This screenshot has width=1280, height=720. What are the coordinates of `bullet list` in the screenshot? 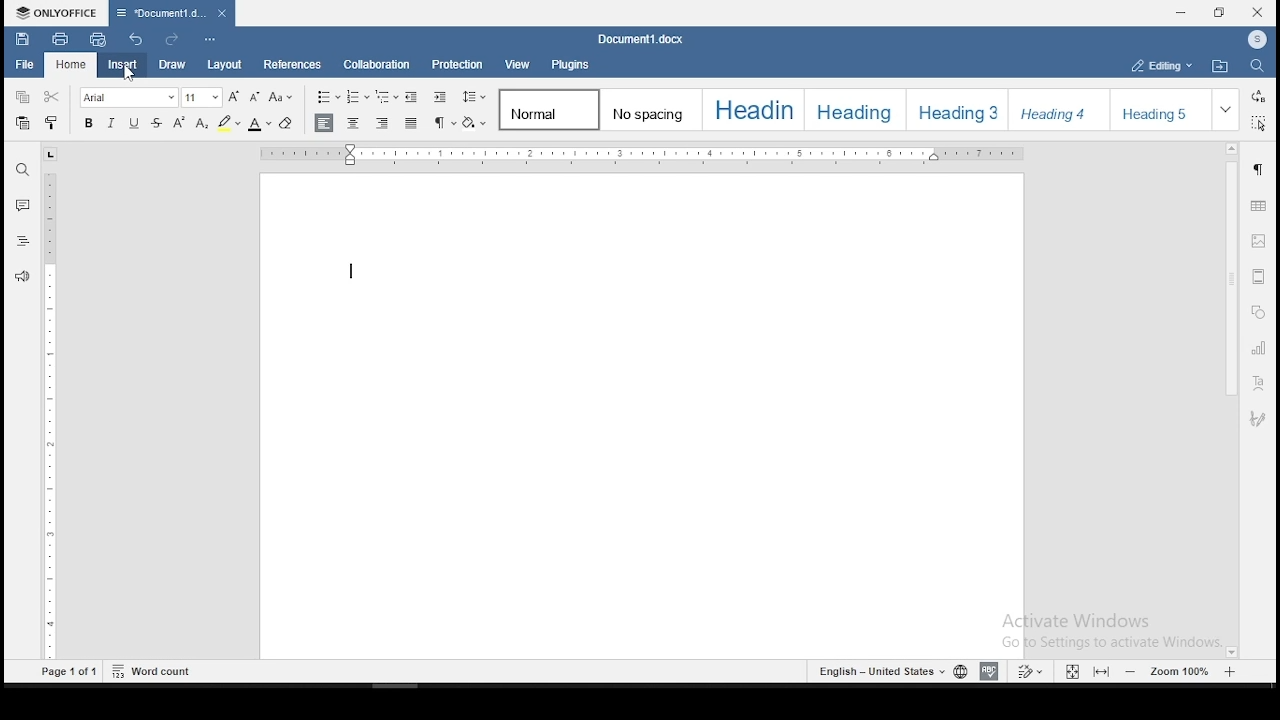 It's located at (328, 96).